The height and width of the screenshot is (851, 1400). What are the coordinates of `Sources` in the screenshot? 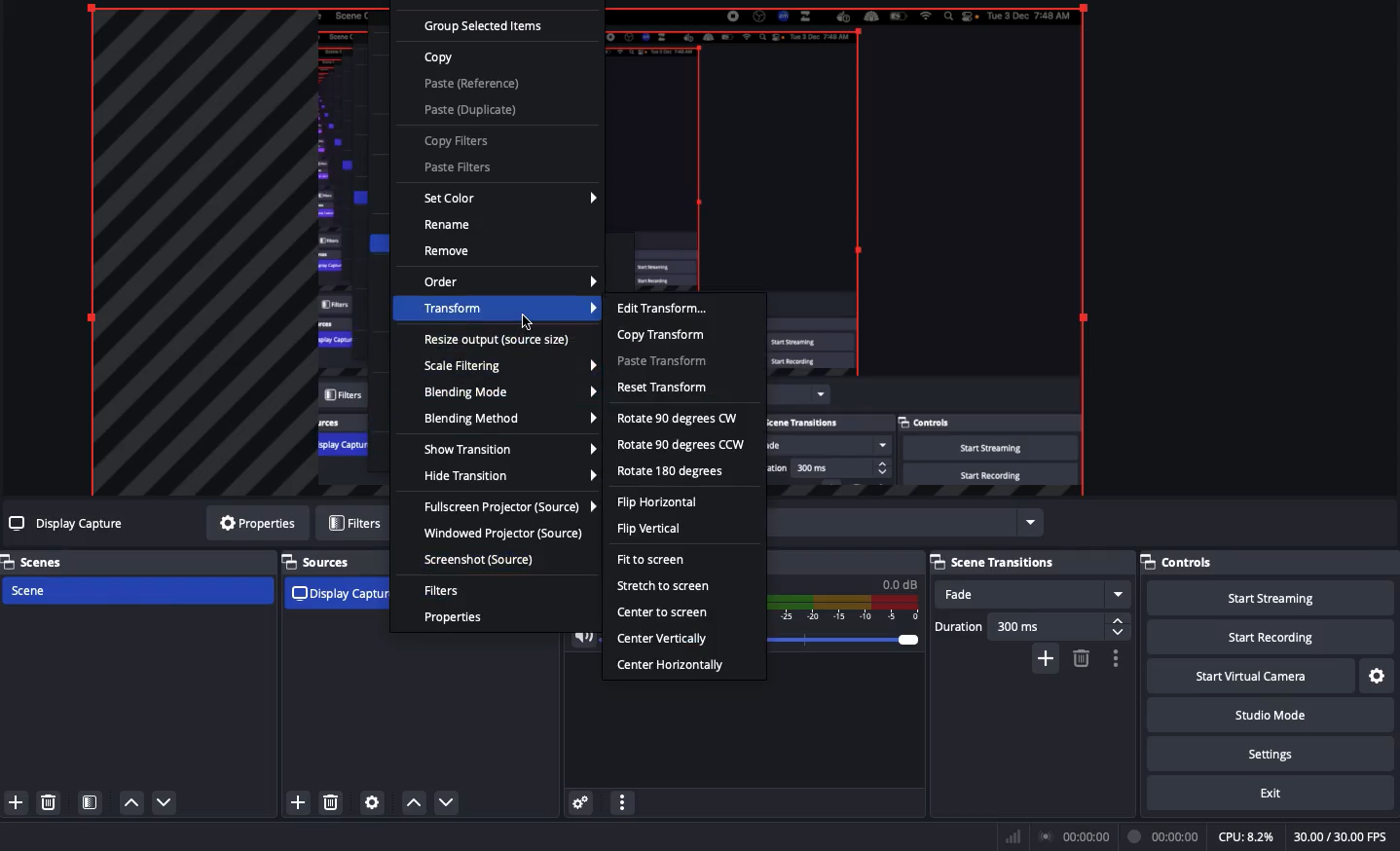 It's located at (314, 561).